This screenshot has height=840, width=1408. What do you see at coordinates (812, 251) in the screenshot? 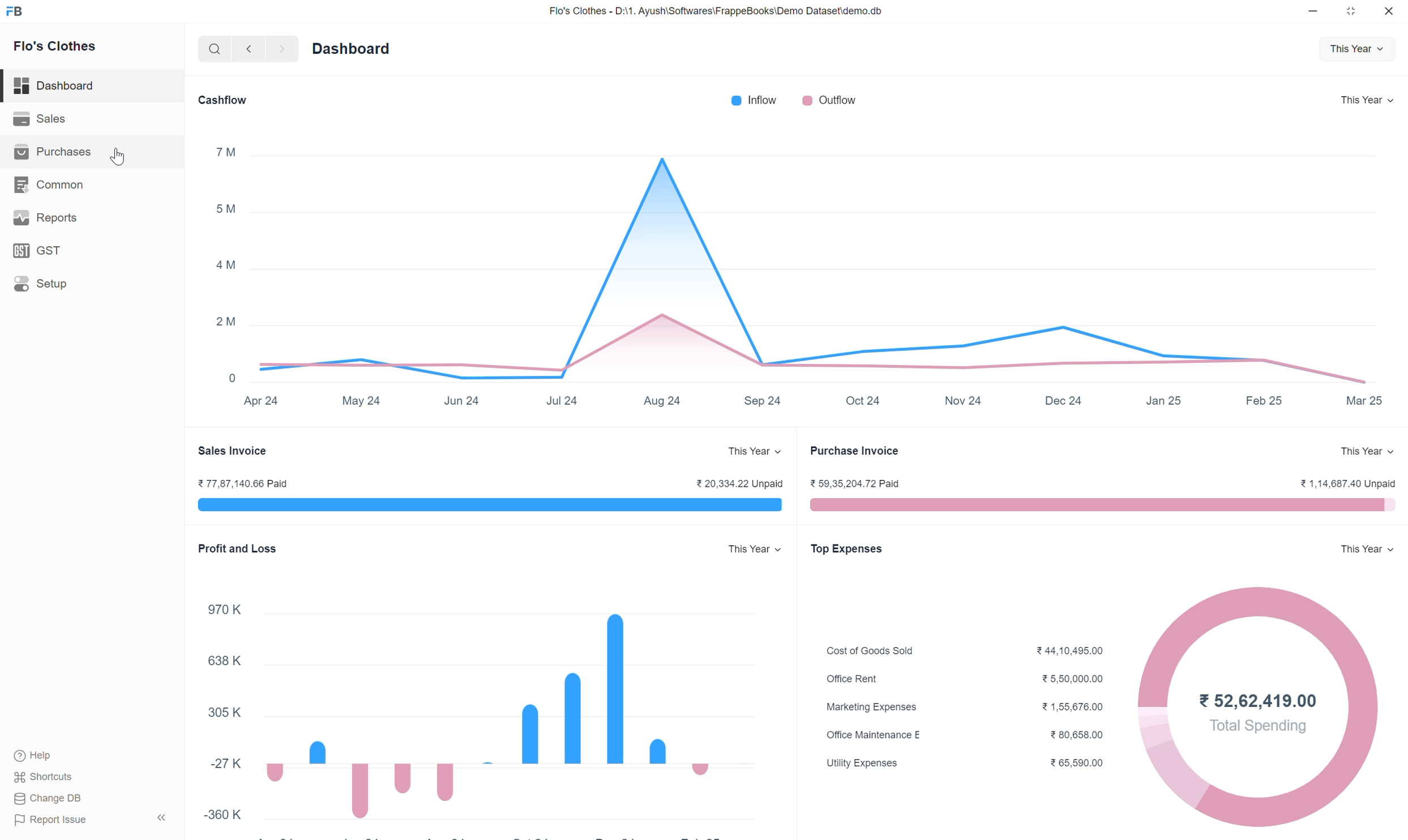
I see `Cash Inflow and Outflow graph` at bounding box center [812, 251].